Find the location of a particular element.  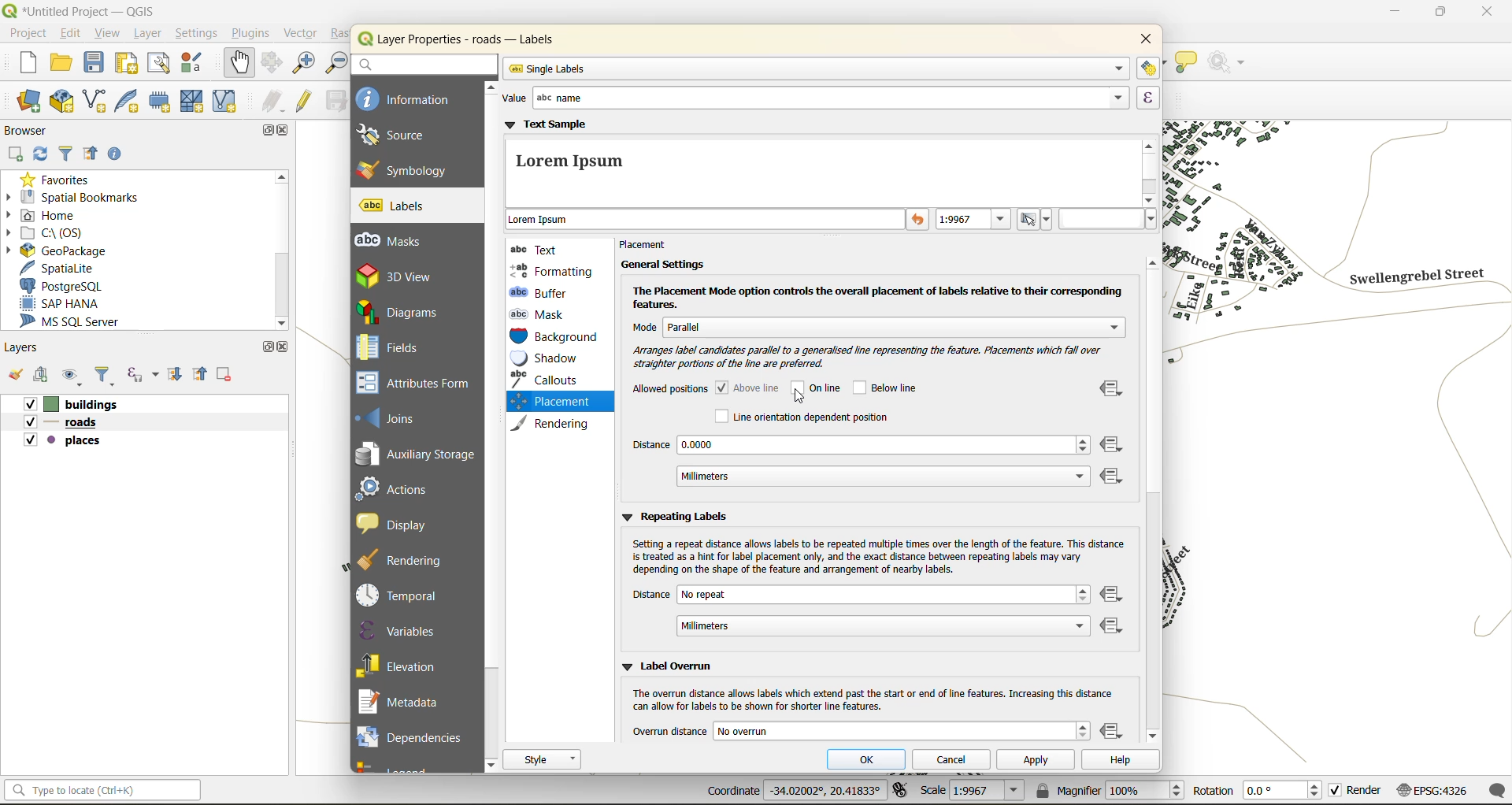

coordinates is located at coordinates (794, 791).